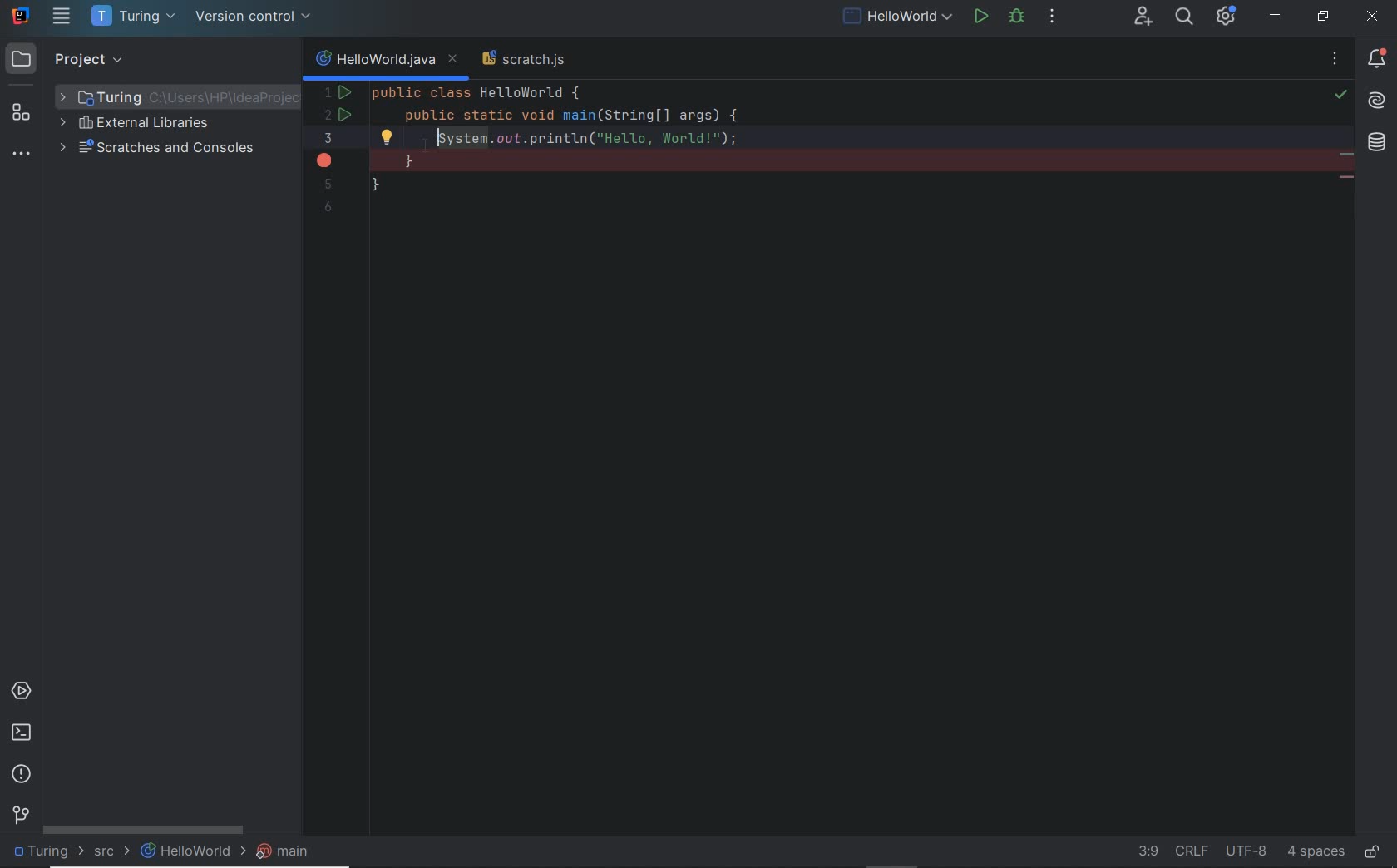 The image size is (1397, 868). I want to click on services, so click(21, 693).